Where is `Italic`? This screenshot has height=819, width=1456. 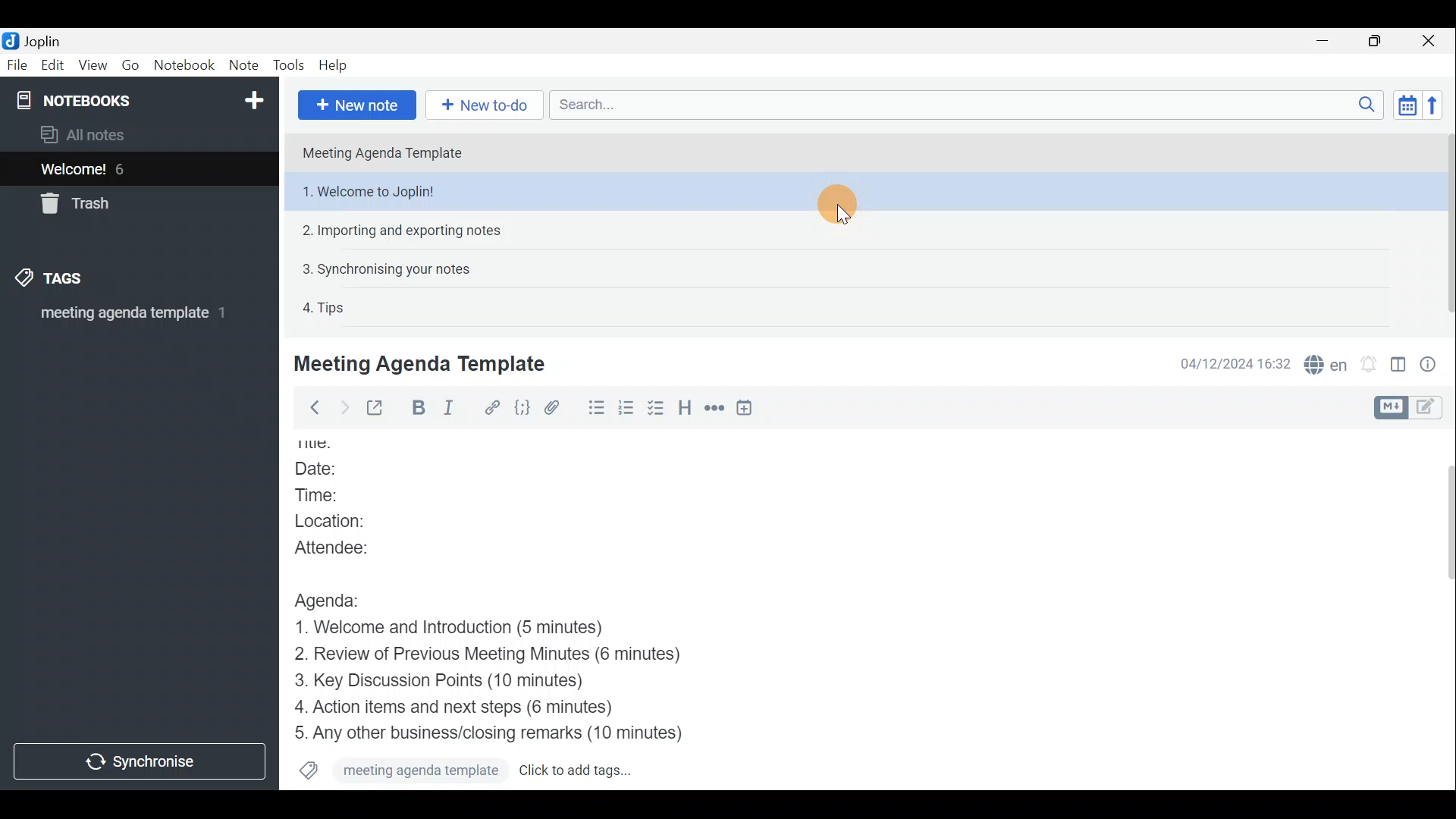
Italic is located at coordinates (457, 409).